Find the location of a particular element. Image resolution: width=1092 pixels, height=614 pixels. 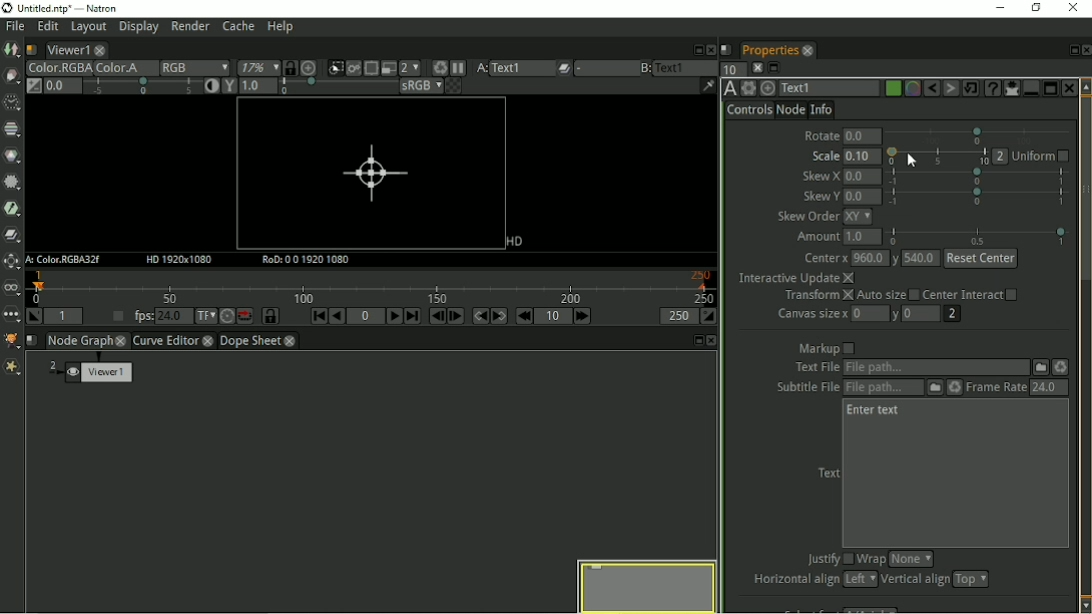

Controls is located at coordinates (748, 112).